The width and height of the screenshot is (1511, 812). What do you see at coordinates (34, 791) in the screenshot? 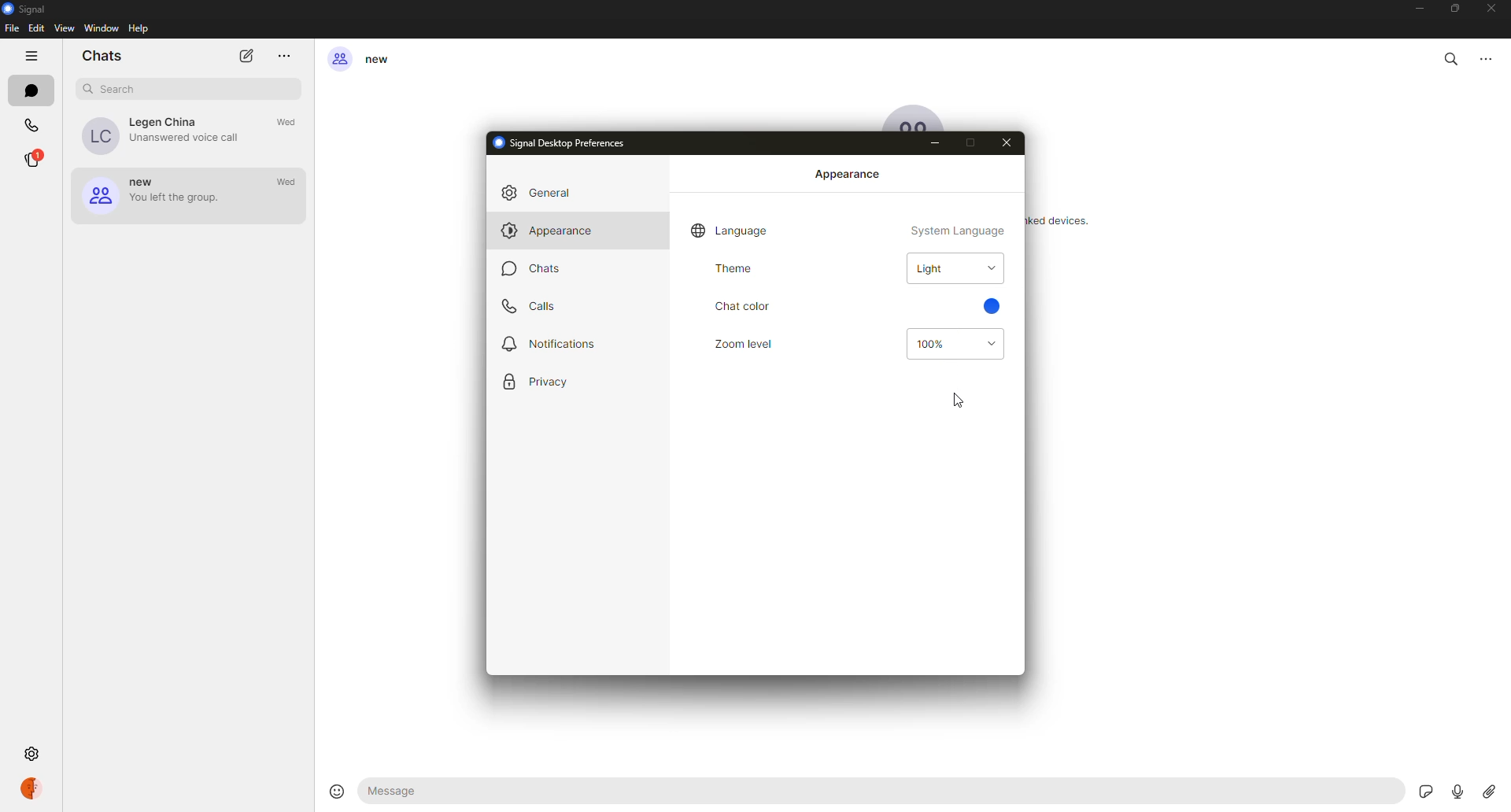
I see `profile` at bounding box center [34, 791].